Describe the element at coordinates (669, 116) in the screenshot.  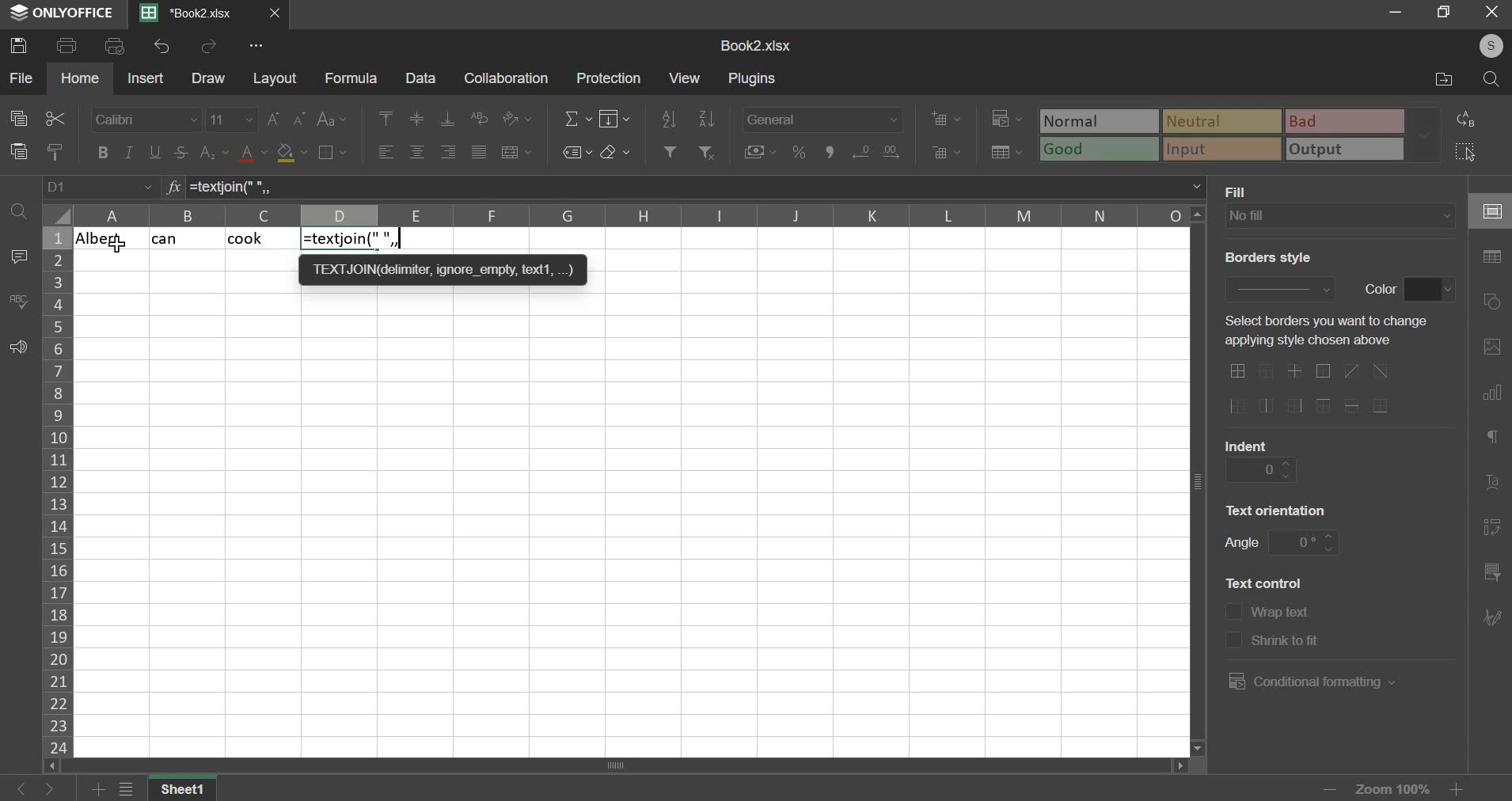
I see `sort ascending` at that location.